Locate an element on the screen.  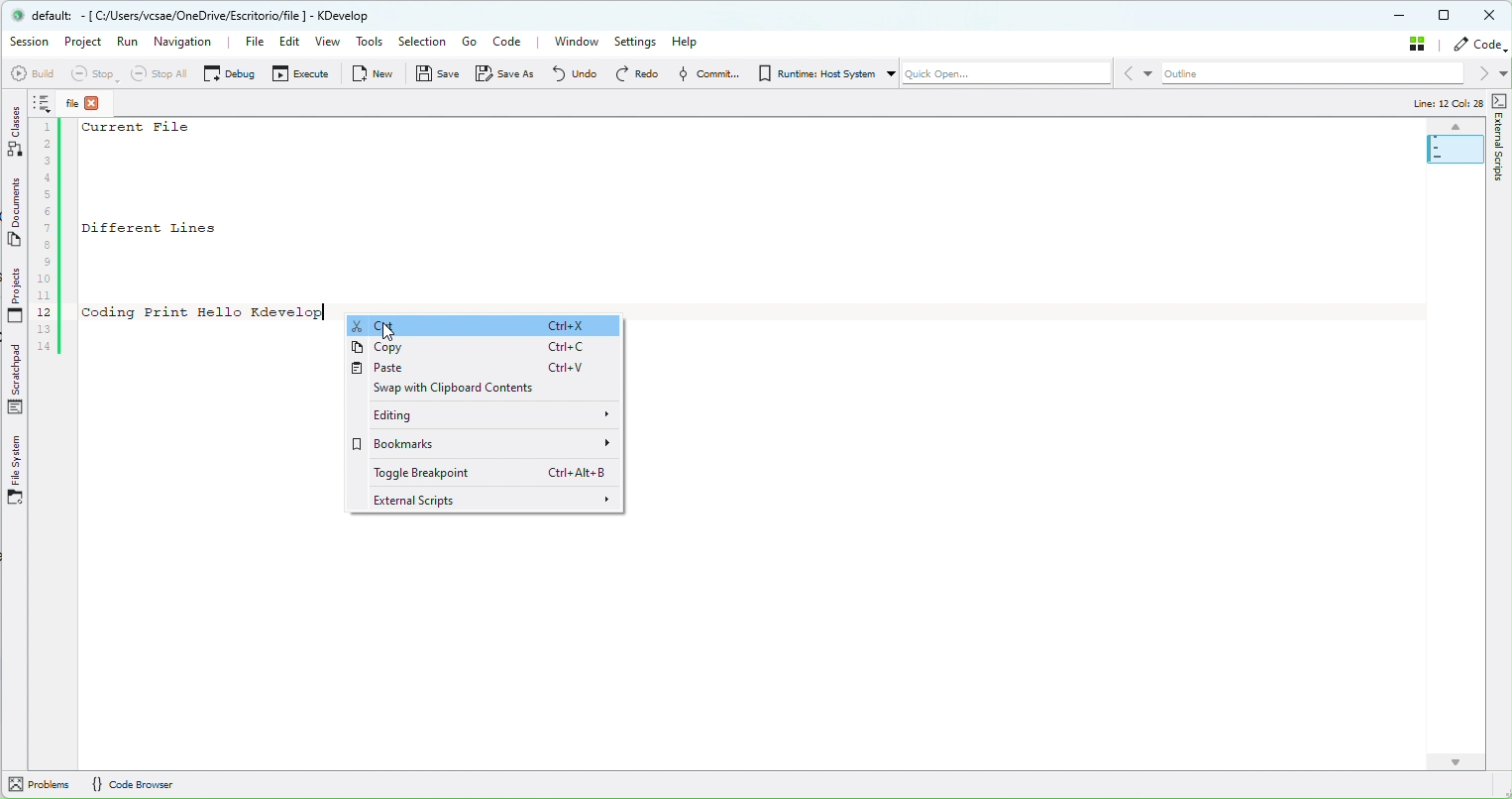
Save is located at coordinates (433, 74).